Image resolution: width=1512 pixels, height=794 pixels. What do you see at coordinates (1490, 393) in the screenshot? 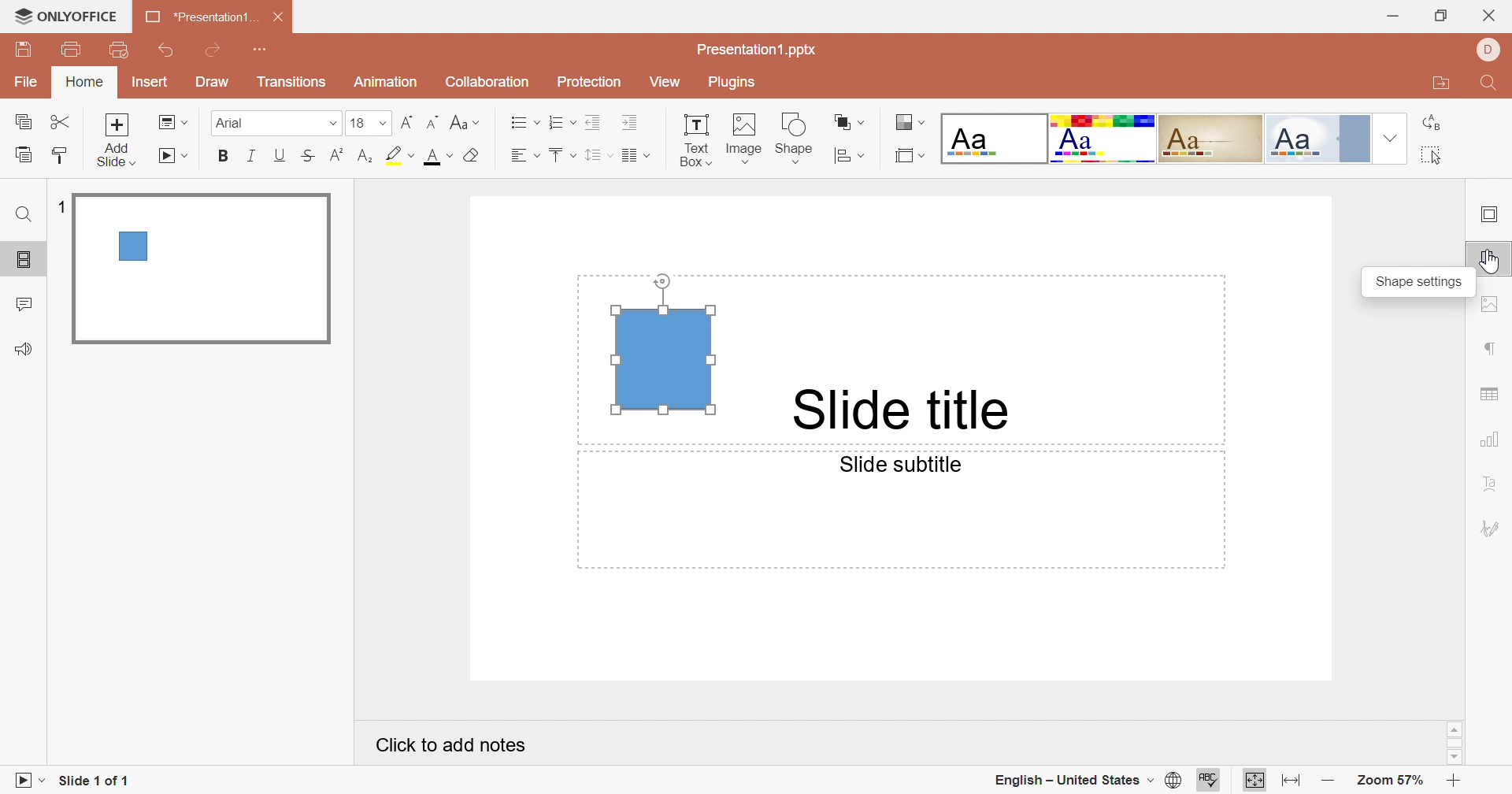
I see `Table settings` at bounding box center [1490, 393].